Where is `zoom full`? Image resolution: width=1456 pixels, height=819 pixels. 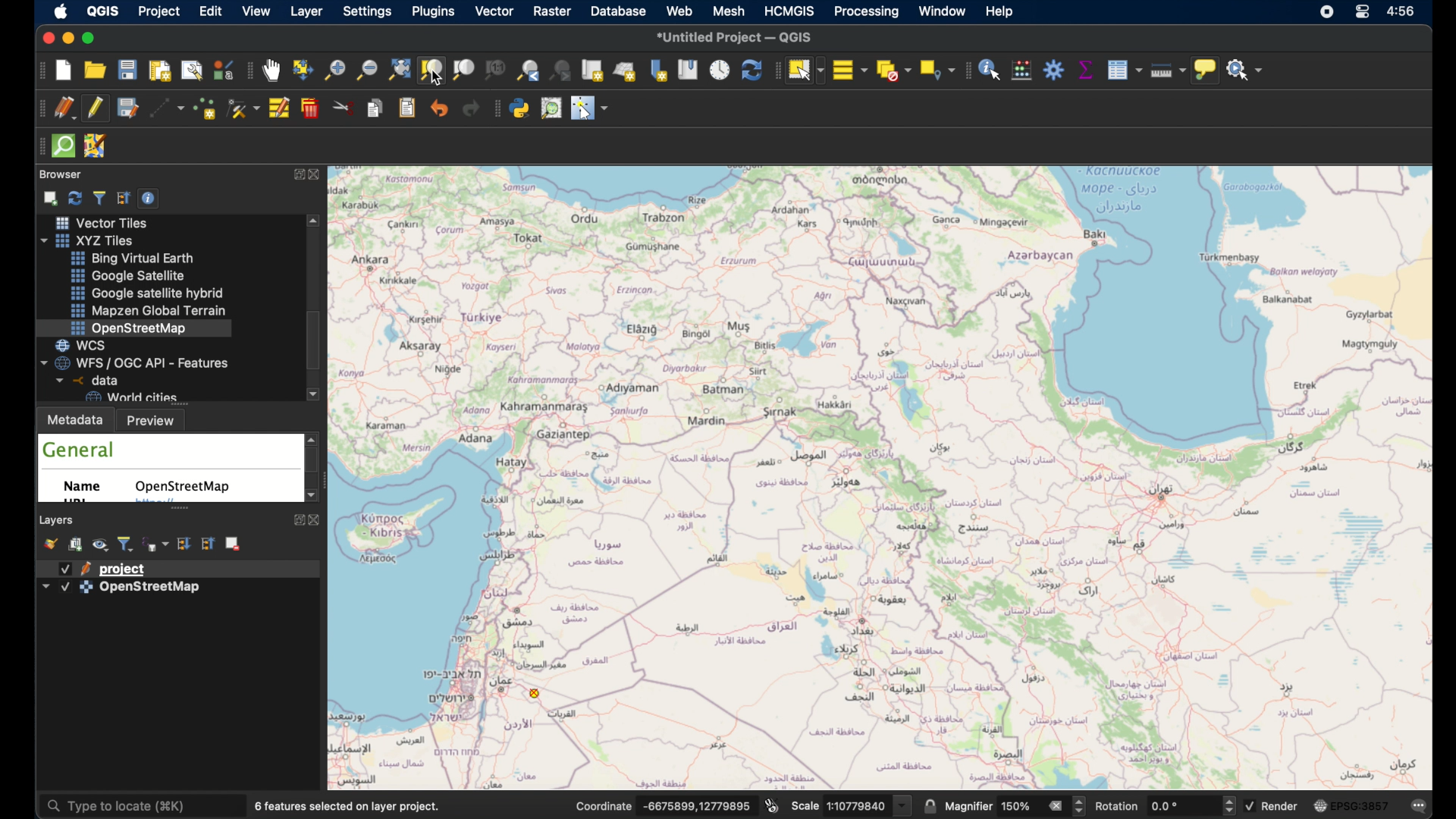
zoom full is located at coordinates (398, 69).